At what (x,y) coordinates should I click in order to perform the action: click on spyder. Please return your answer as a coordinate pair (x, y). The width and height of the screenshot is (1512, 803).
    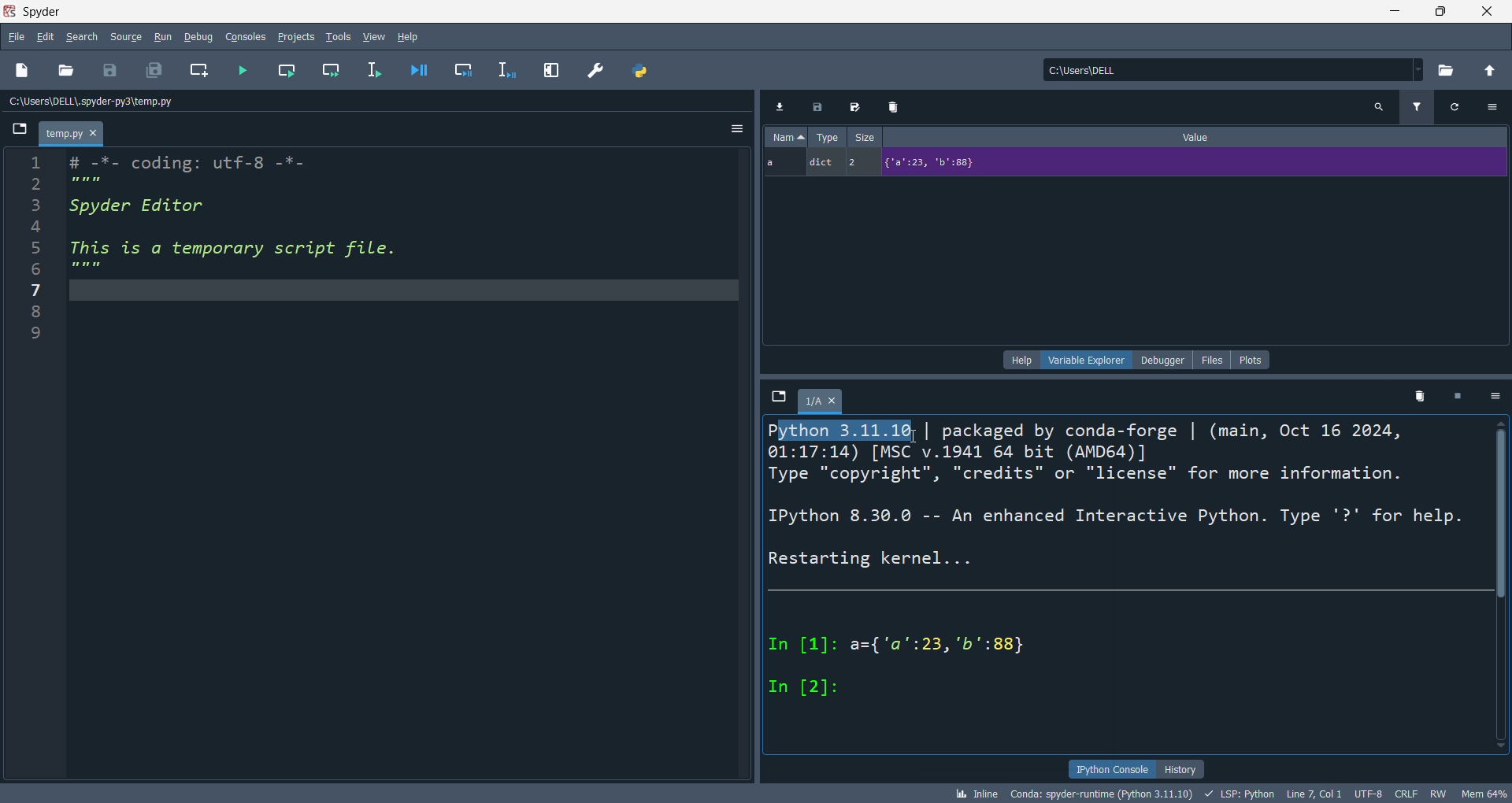
    Looking at the image, I should click on (46, 10).